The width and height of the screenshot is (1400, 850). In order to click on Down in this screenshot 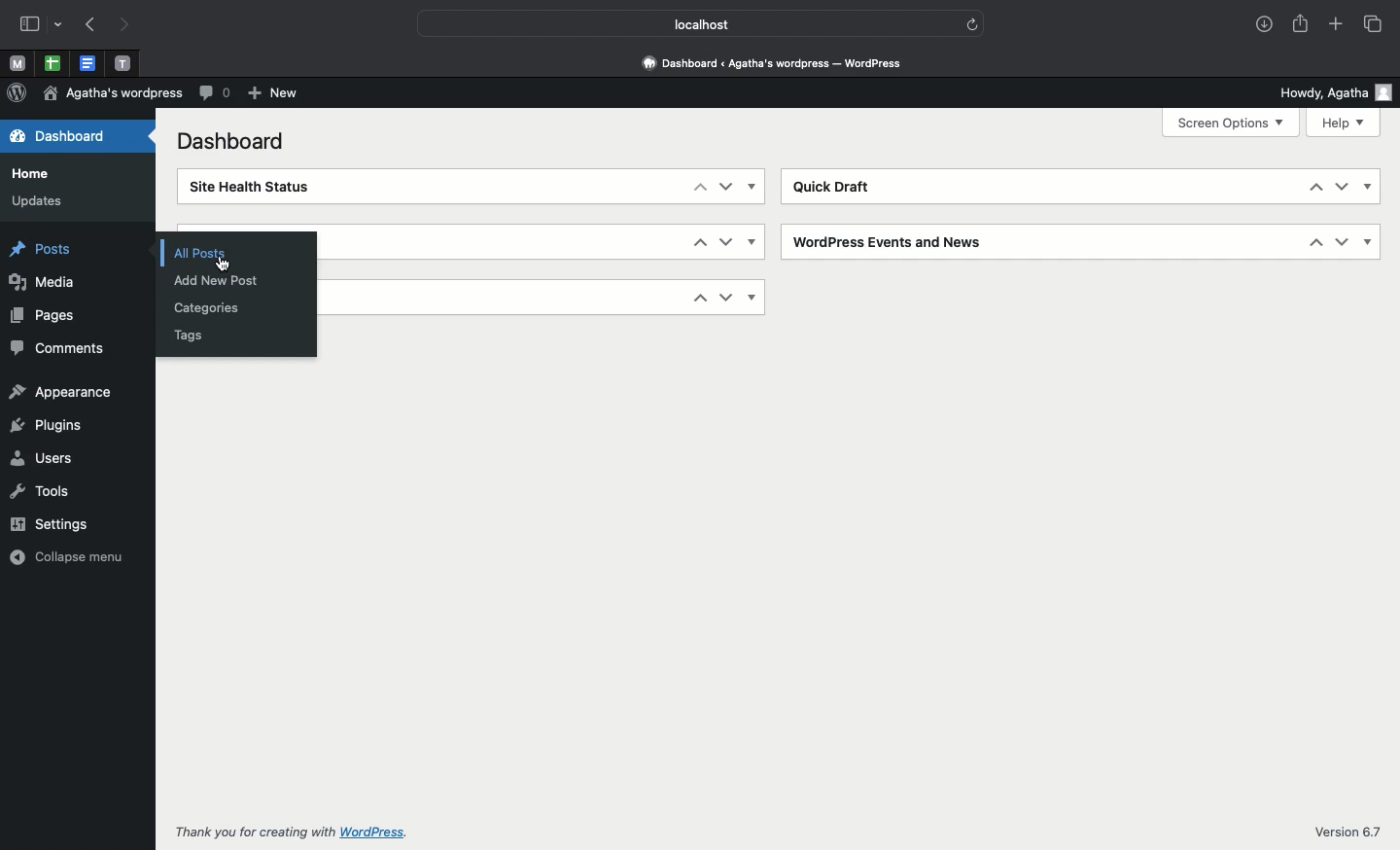, I will do `click(724, 297)`.